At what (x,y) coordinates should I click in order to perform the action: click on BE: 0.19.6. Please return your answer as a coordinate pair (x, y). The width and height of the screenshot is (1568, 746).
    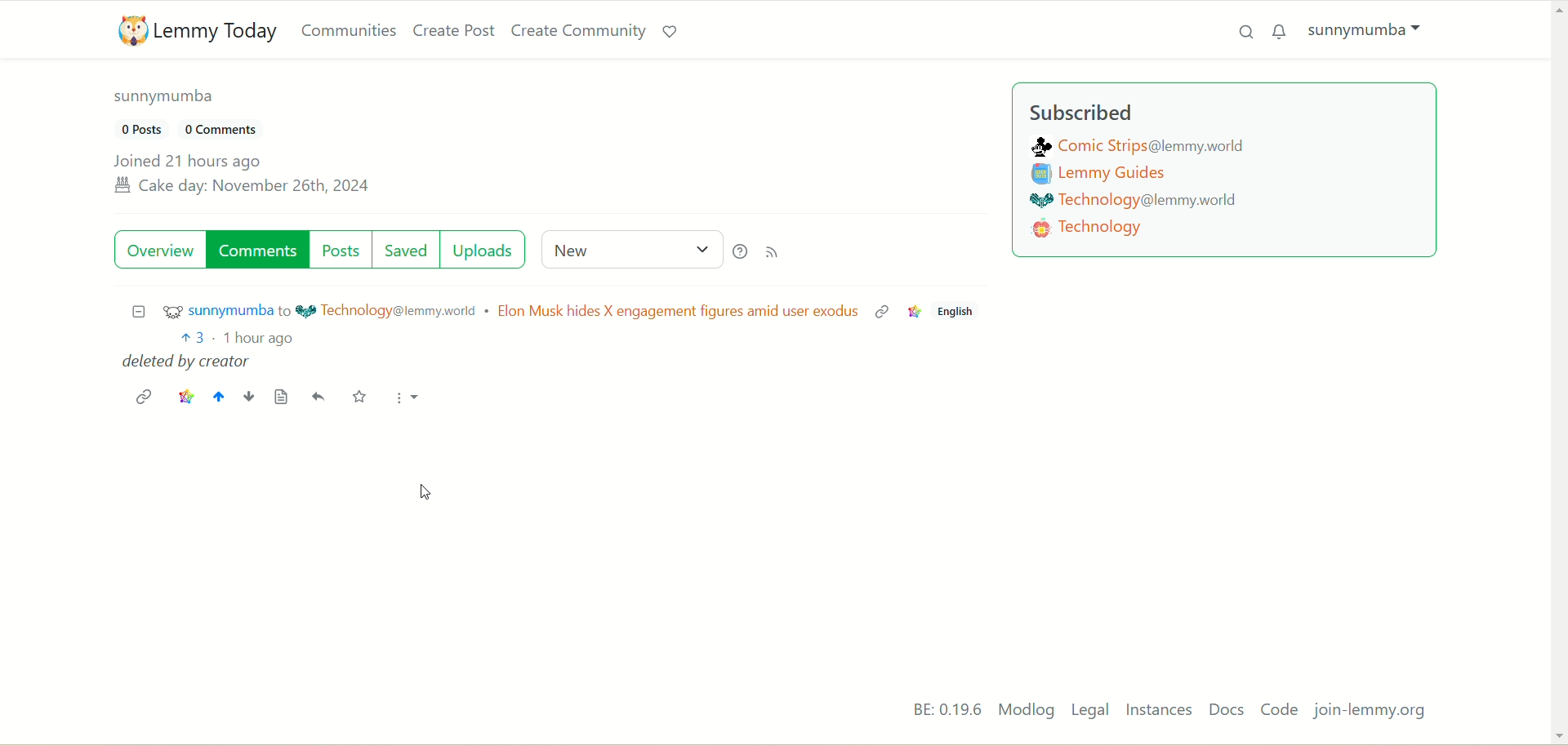
    Looking at the image, I should click on (936, 710).